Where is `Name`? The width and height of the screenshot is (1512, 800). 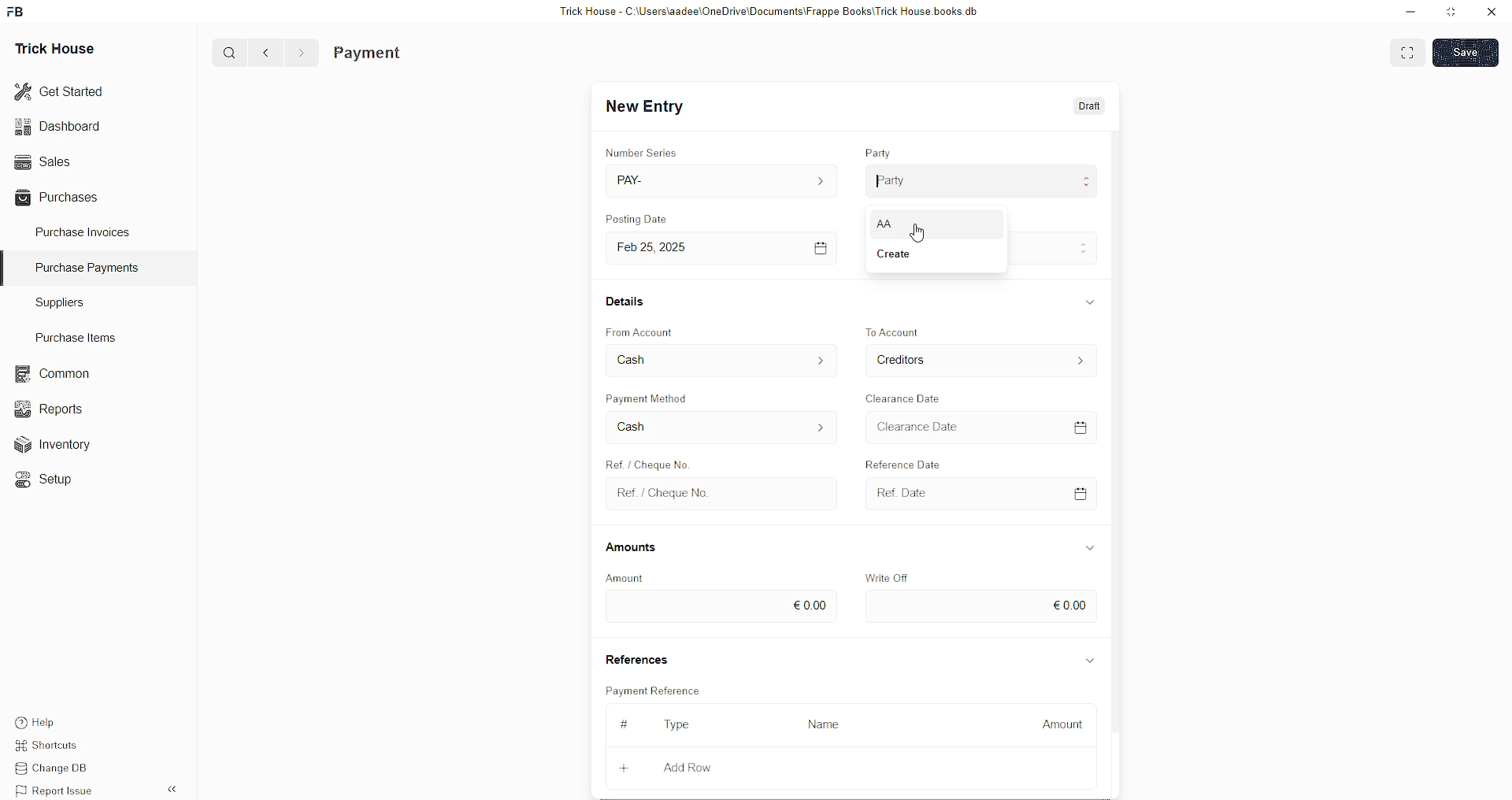
Name is located at coordinates (828, 724).